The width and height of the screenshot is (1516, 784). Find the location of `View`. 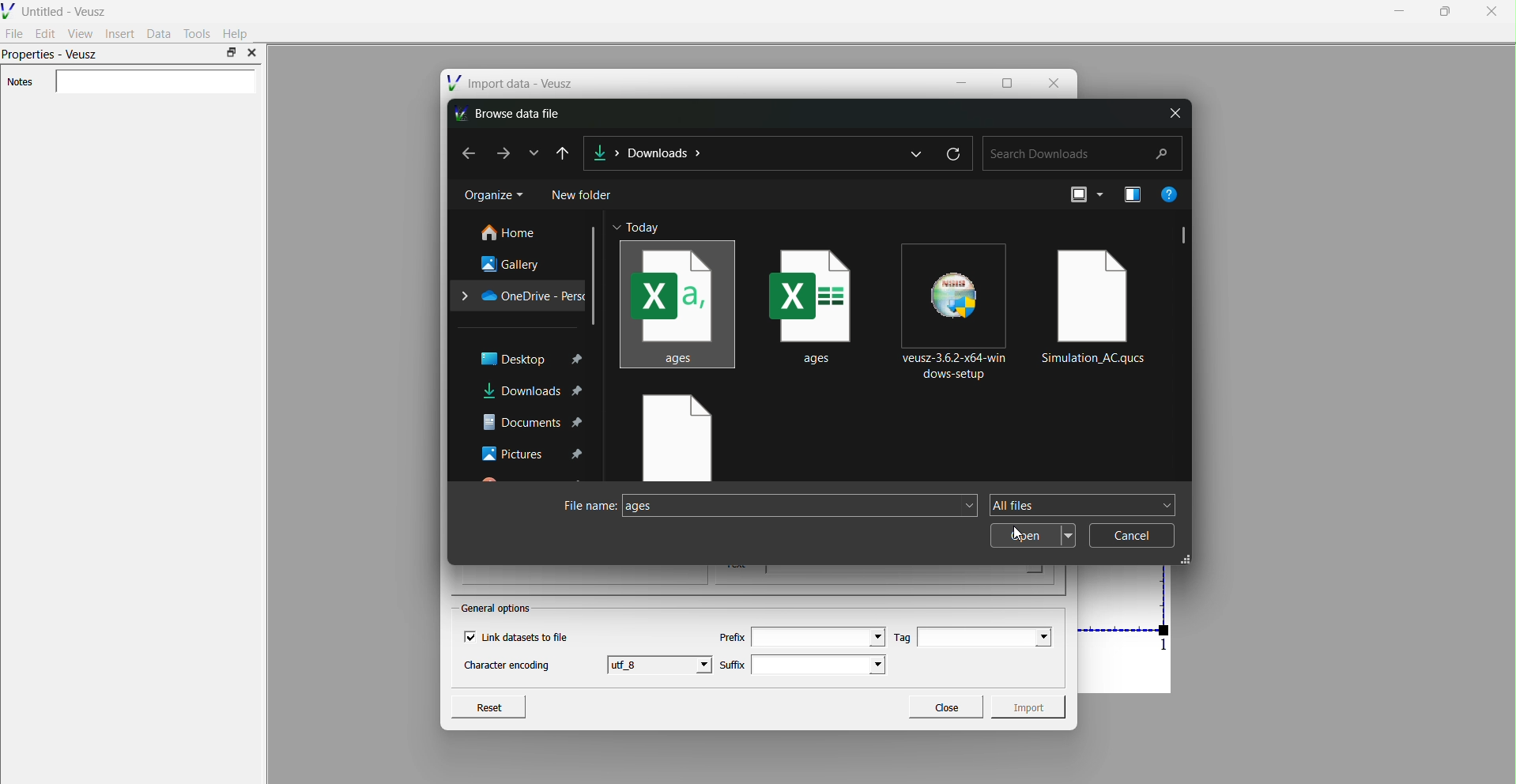

View is located at coordinates (80, 33).